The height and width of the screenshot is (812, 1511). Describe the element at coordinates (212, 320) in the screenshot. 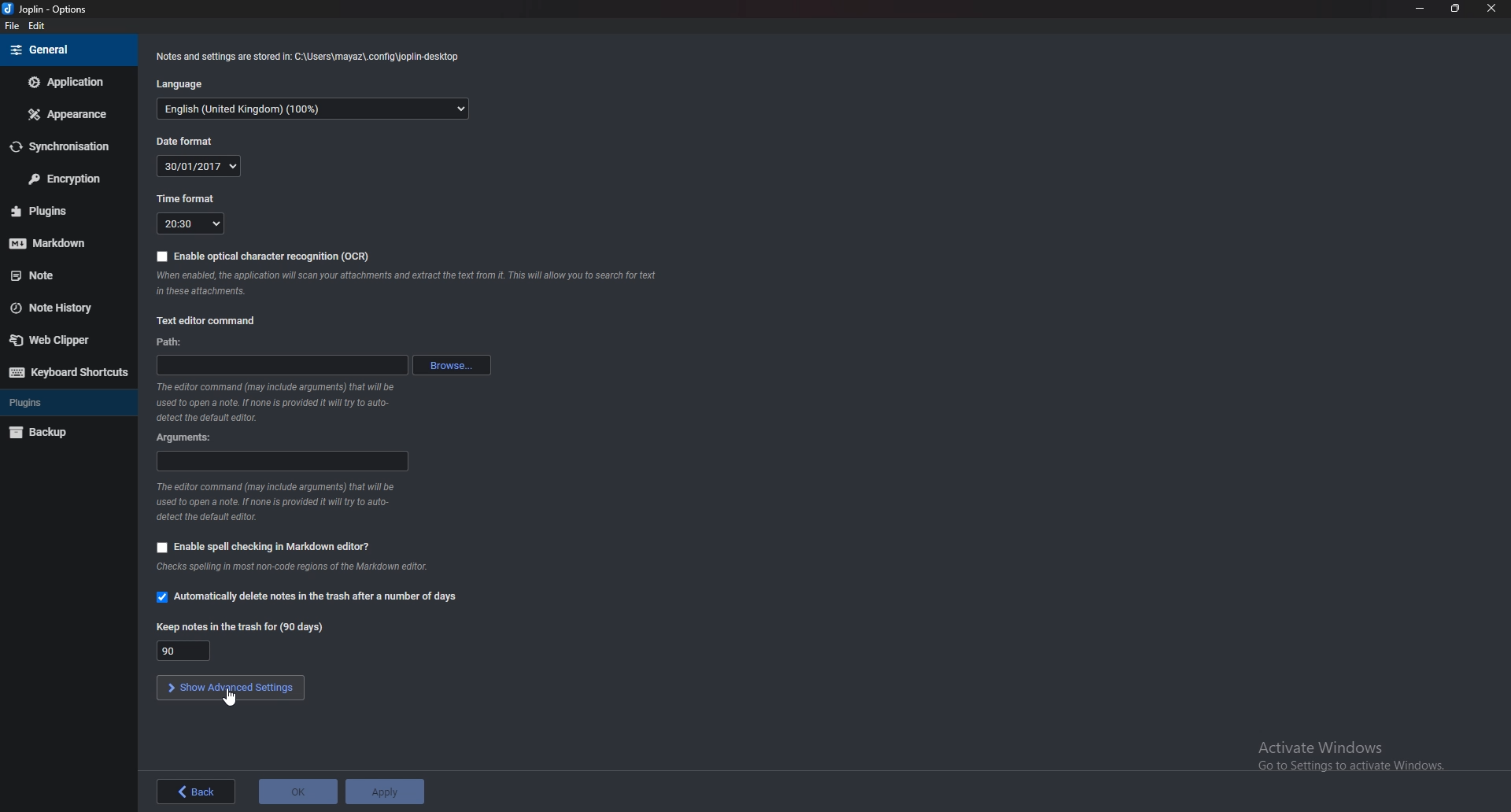

I see `Text editor command` at that location.